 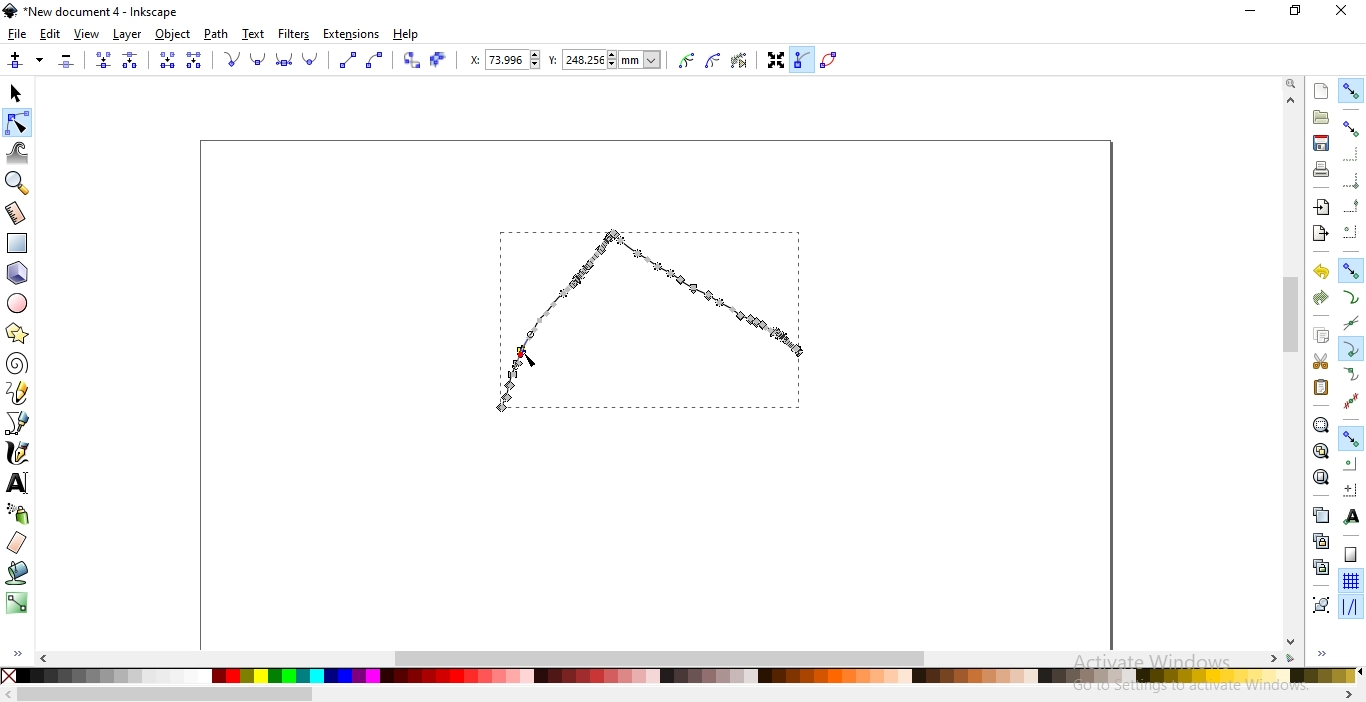 I want to click on zoom, so click(x=1293, y=82).